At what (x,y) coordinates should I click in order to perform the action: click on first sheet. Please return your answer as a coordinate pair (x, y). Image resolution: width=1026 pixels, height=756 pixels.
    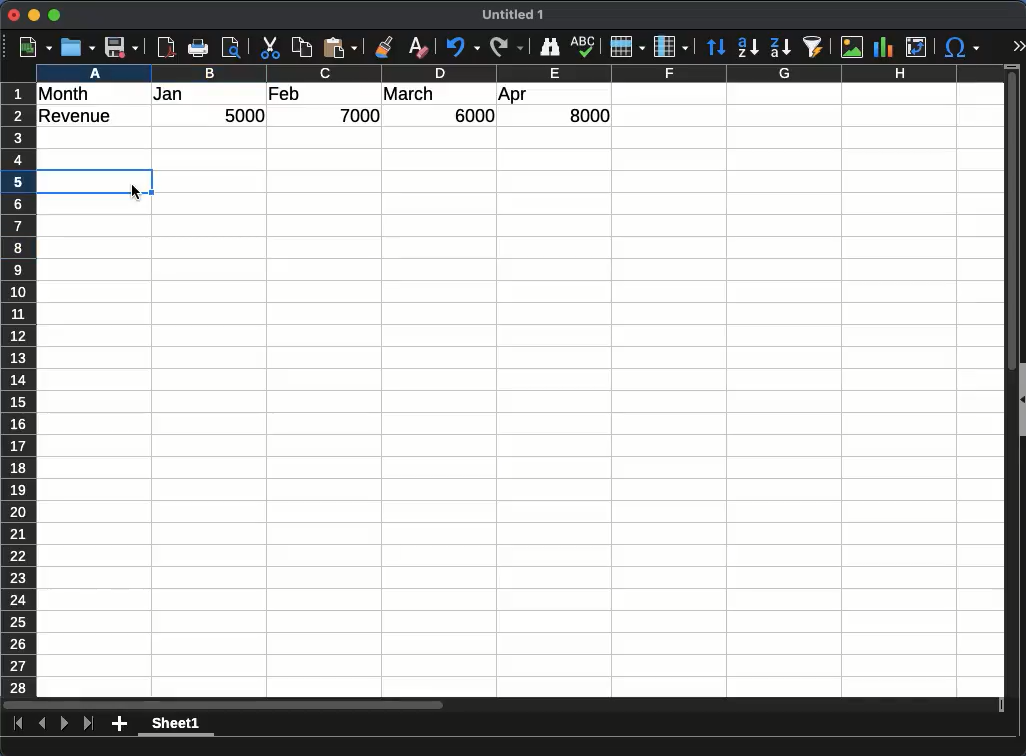
    Looking at the image, I should click on (19, 723).